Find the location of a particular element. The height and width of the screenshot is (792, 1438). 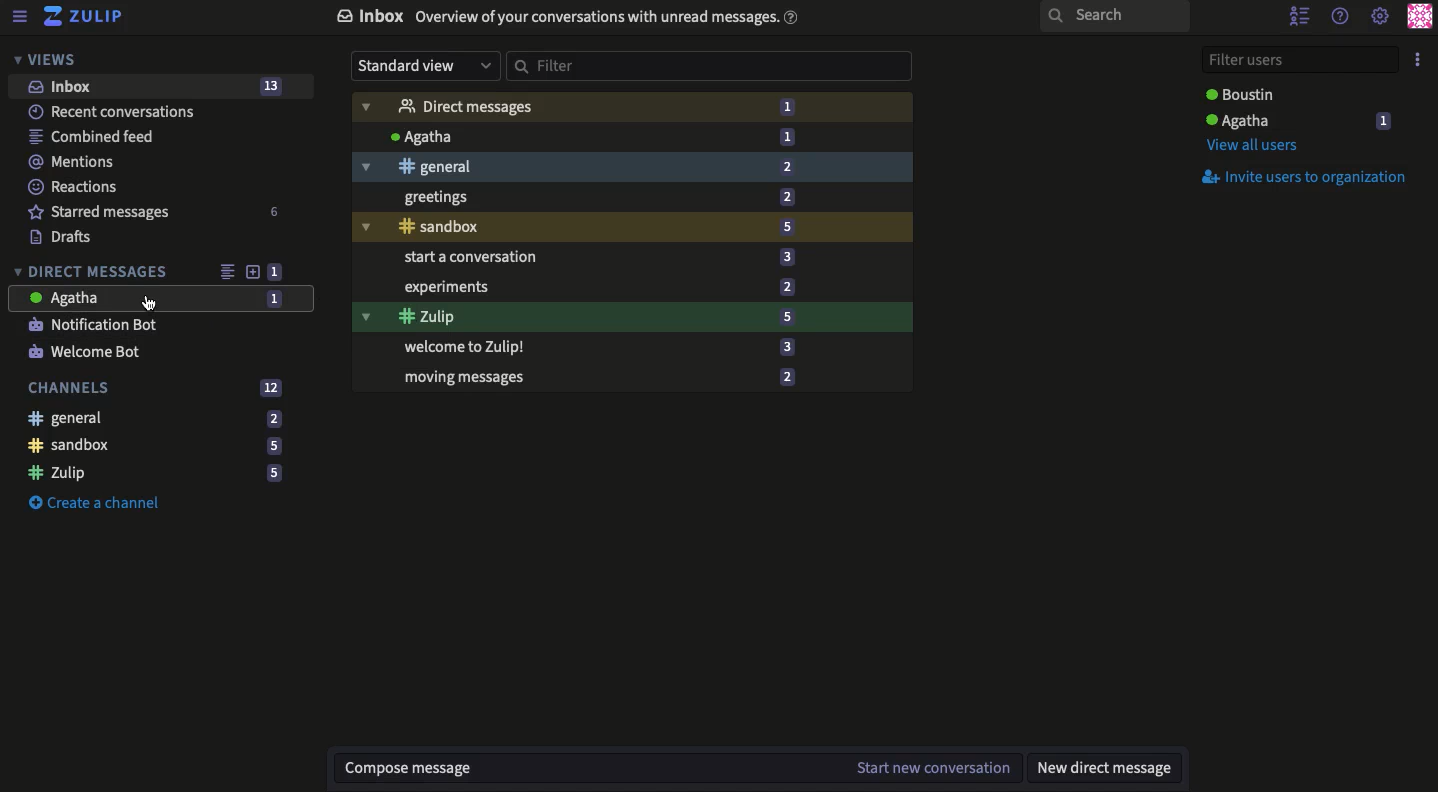

Notification bot is located at coordinates (98, 324).